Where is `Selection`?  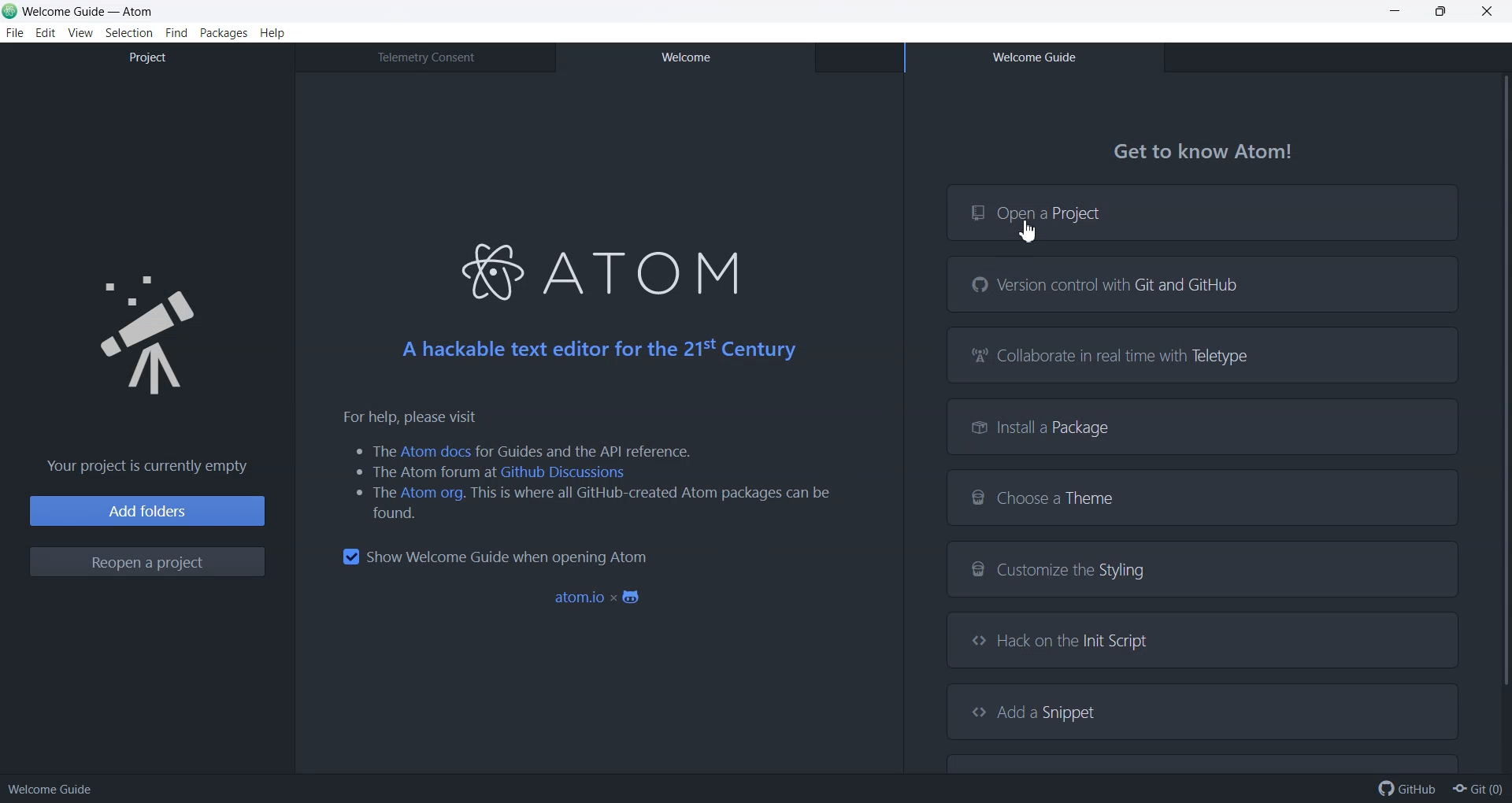
Selection is located at coordinates (130, 33).